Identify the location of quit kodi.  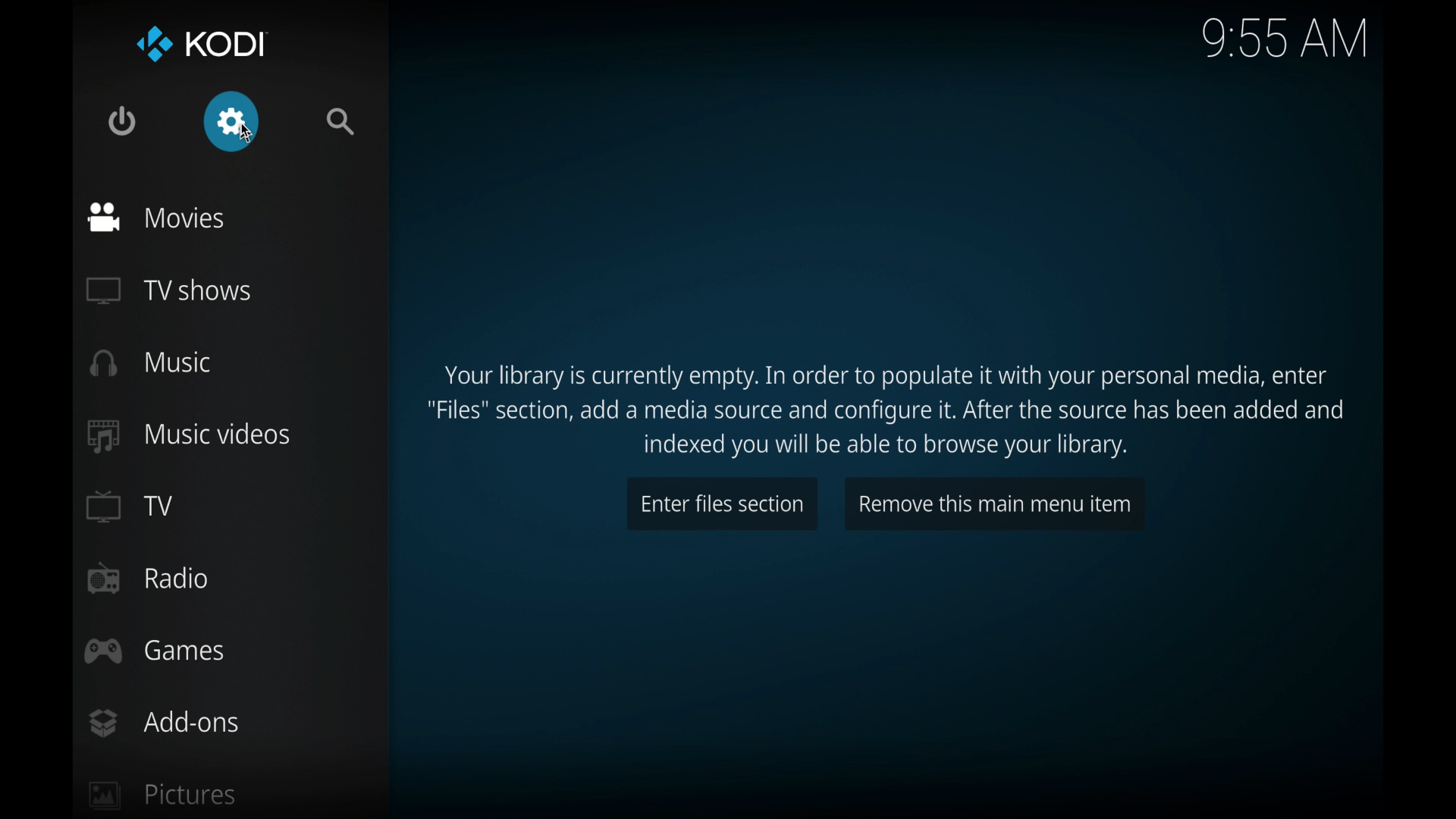
(122, 120).